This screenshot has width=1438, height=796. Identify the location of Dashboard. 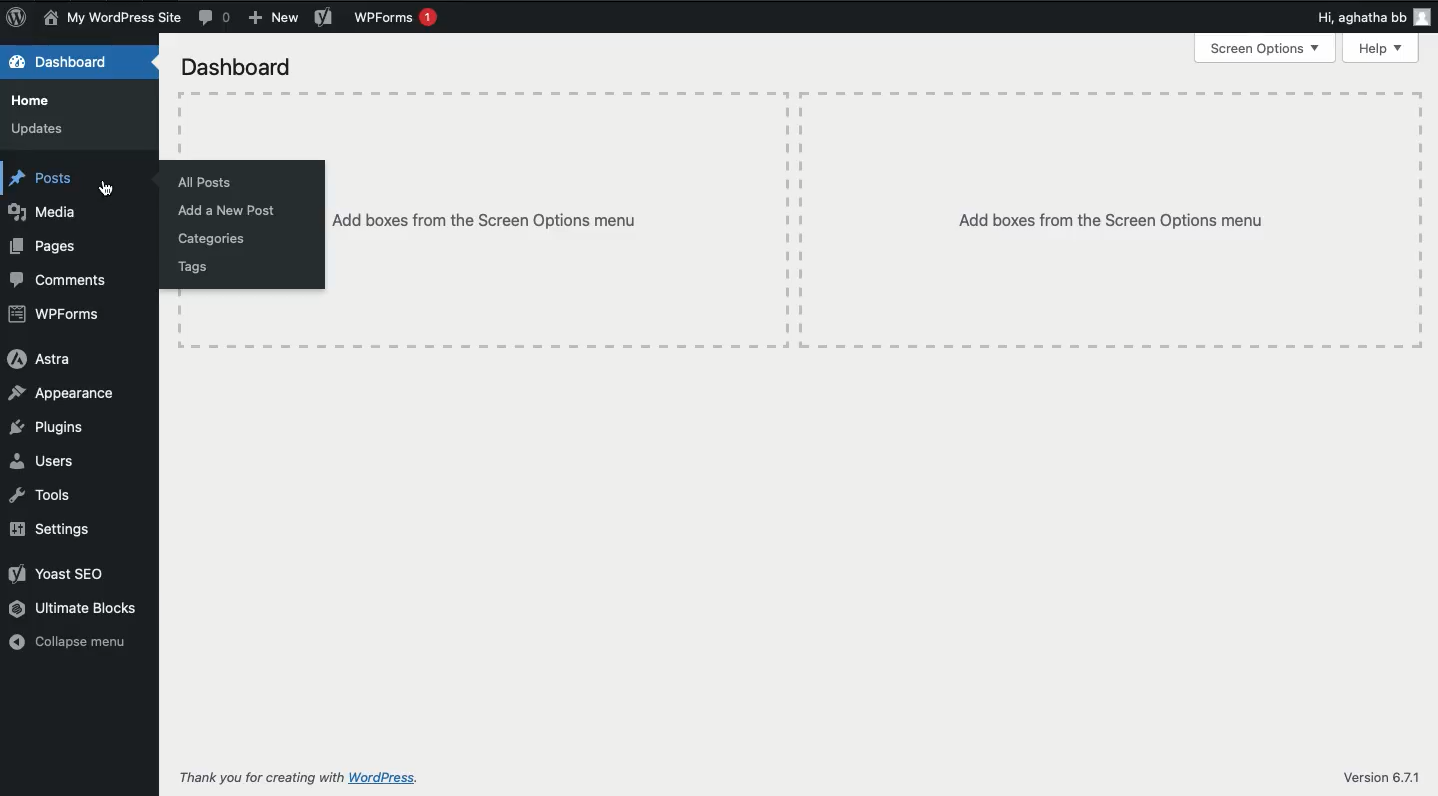
(239, 66).